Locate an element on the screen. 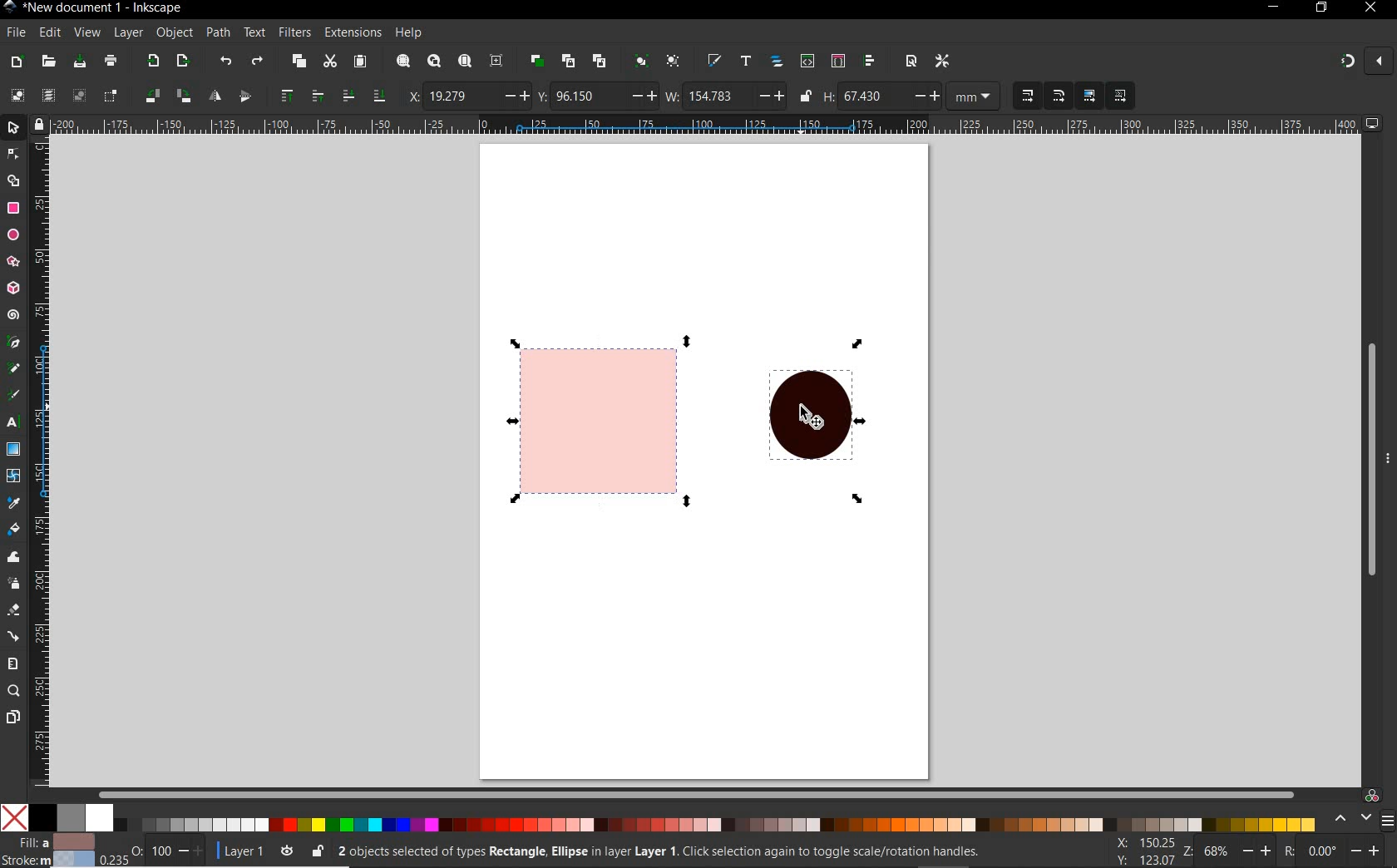 The height and width of the screenshot is (868, 1397). extensions is located at coordinates (351, 32).